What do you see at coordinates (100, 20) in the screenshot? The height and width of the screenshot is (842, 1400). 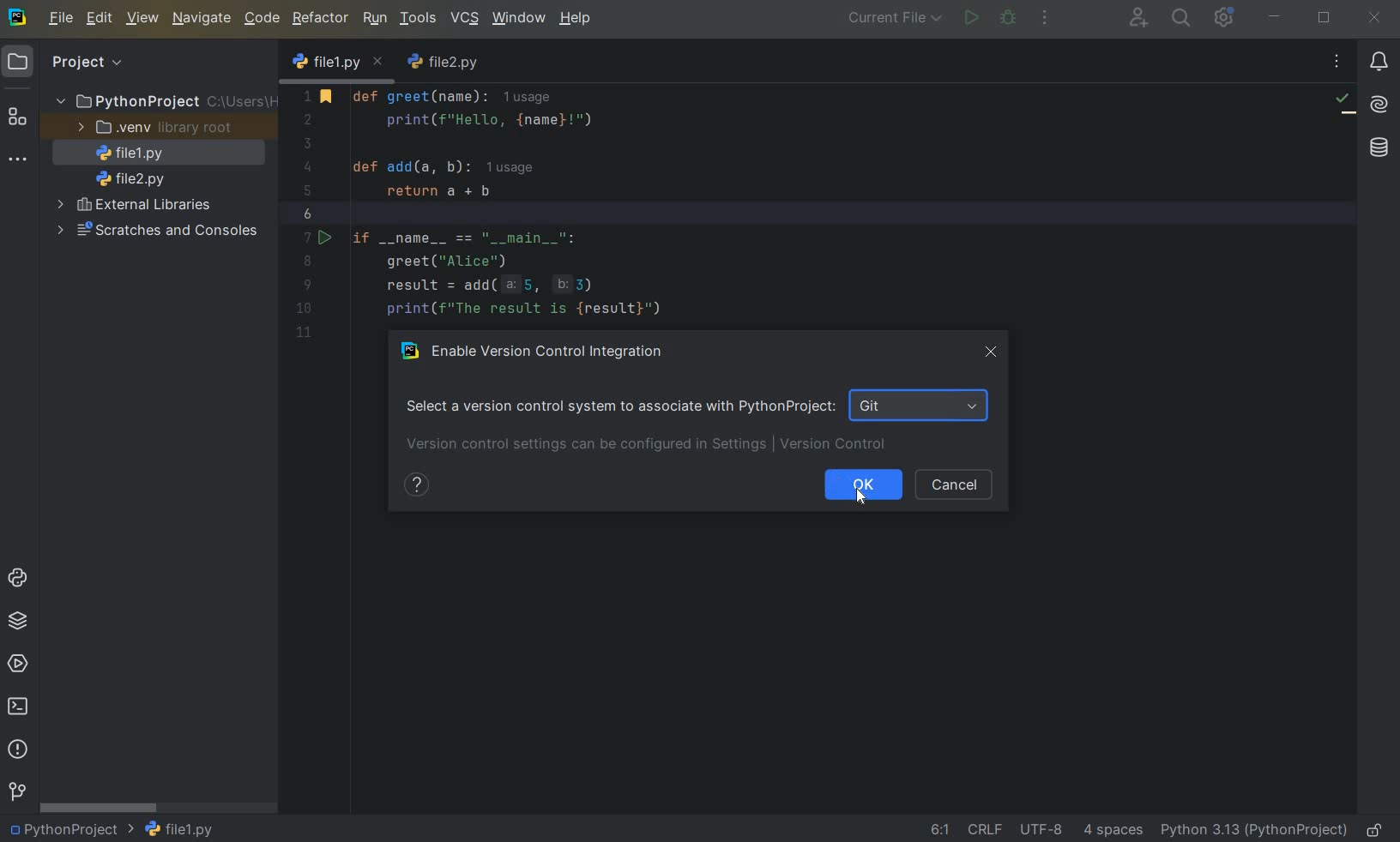 I see `edit` at bounding box center [100, 20].